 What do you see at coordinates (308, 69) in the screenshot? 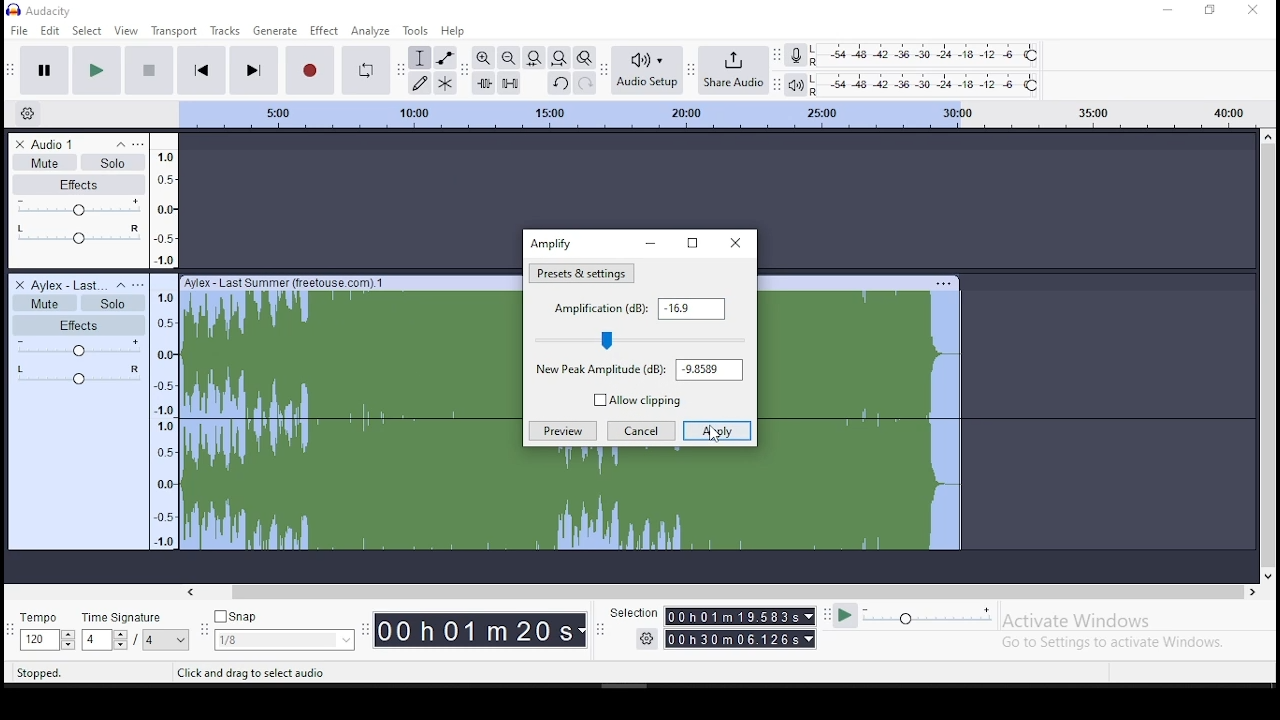
I see `record` at bounding box center [308, 69].